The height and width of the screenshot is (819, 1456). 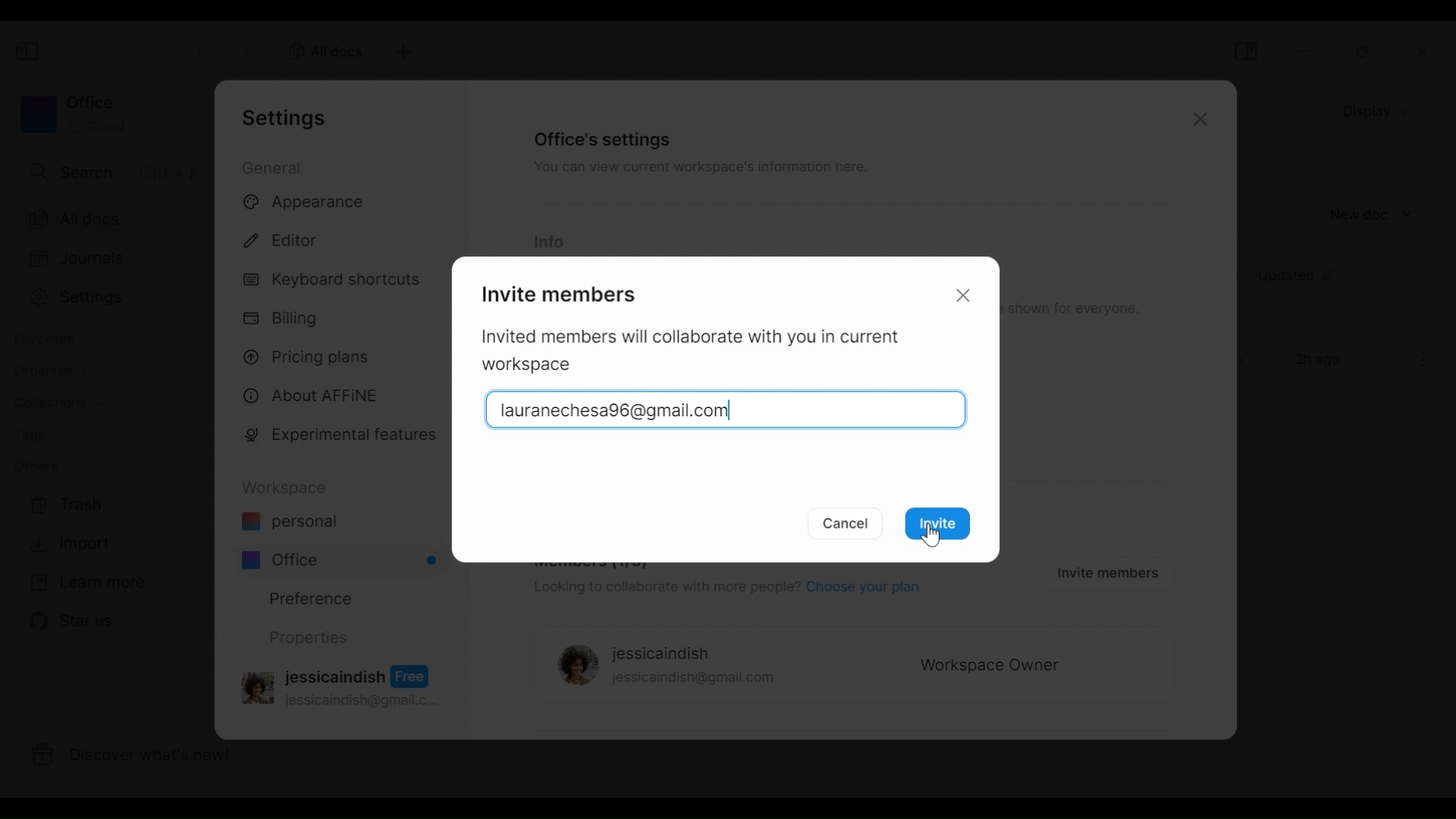 What do you see at coordinates (289, 488) in the screenshot?
I see `Workspace` at bounding box center [289, 488].